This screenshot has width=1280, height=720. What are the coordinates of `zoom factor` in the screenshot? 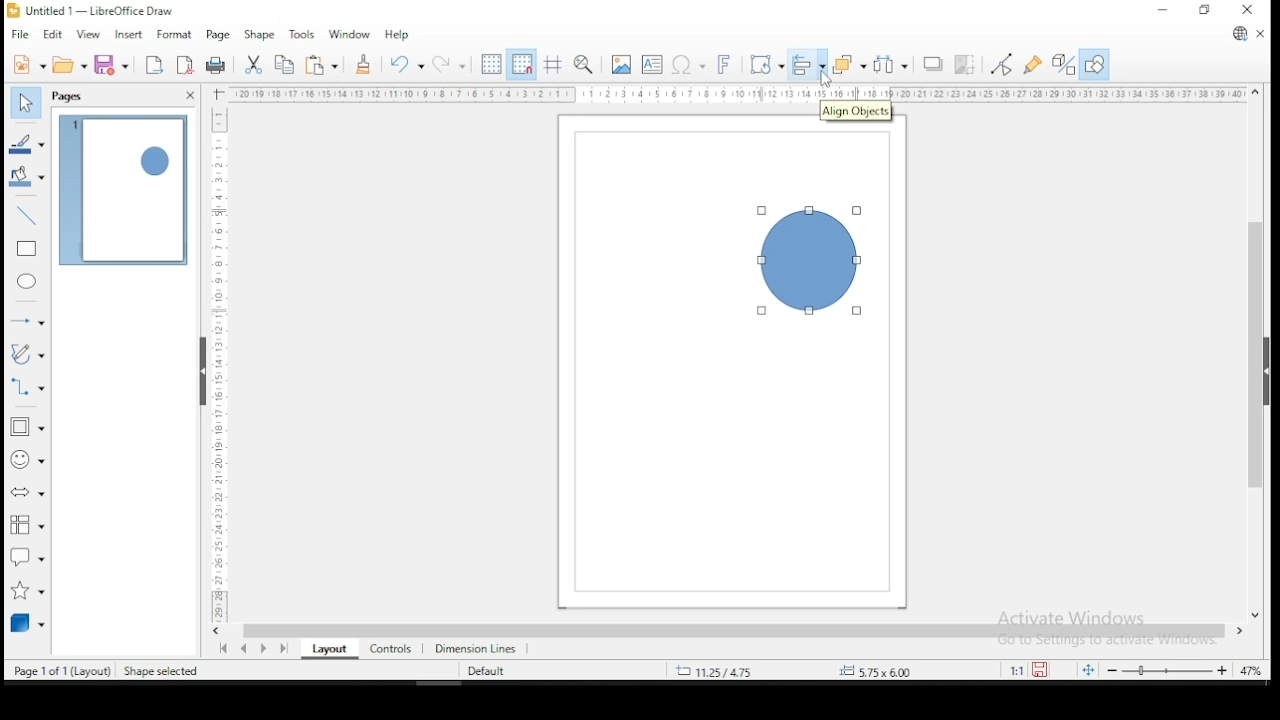 It's located at (926, 670).